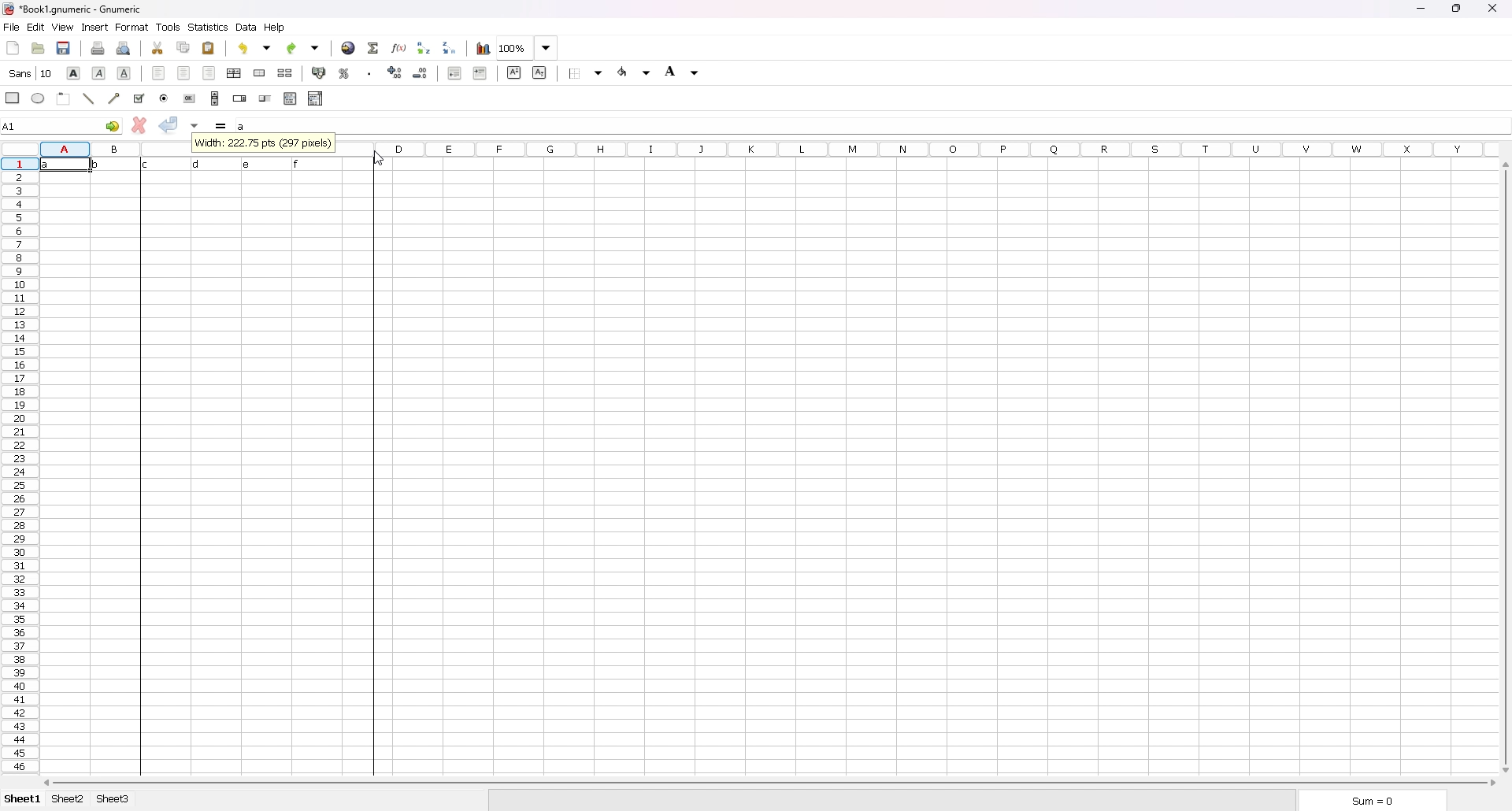  I want to click on resize, so click(1456, 9).